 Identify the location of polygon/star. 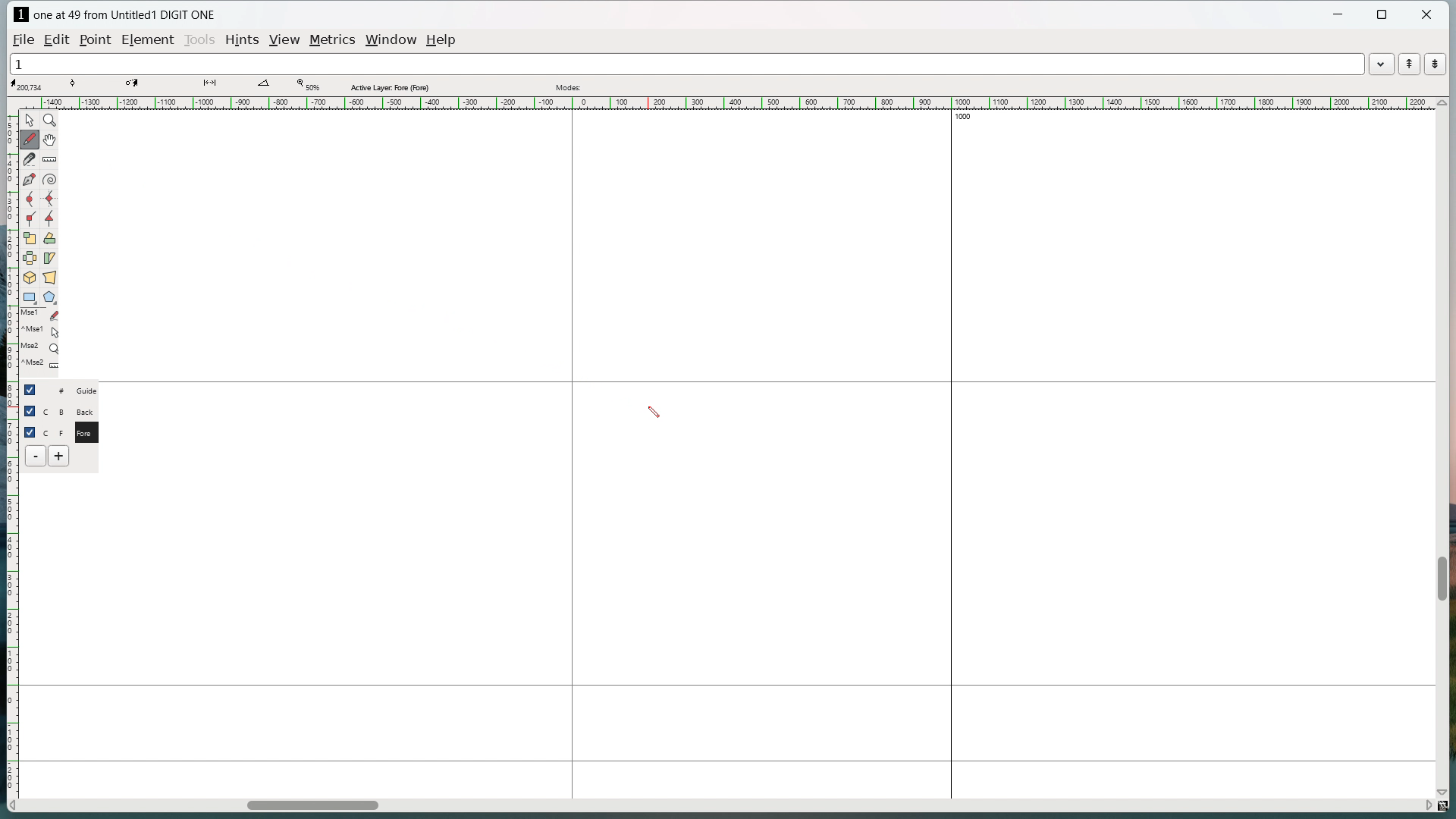
(50, 297).